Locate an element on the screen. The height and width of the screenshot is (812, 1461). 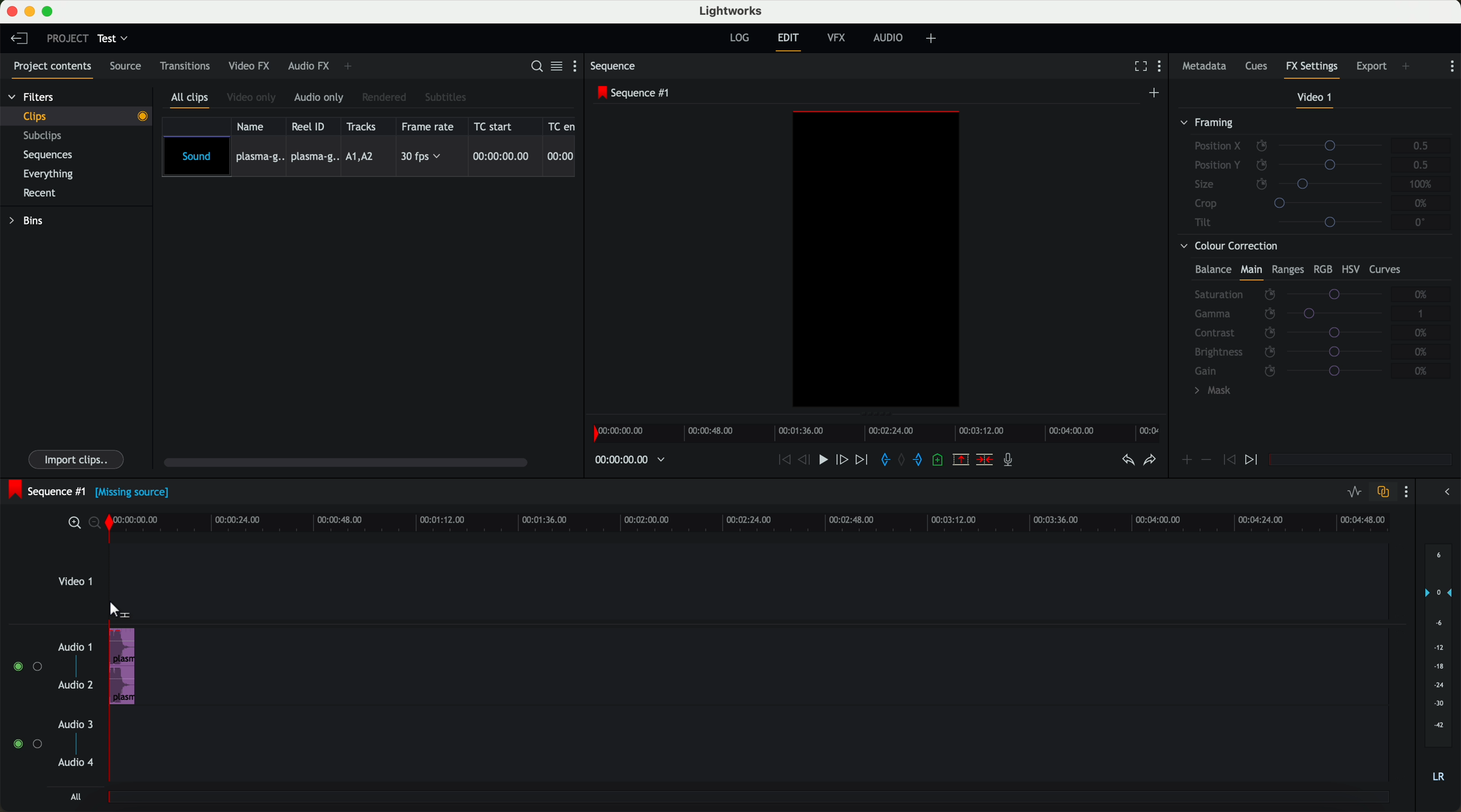
move foward is located at coordinates (863, 460).